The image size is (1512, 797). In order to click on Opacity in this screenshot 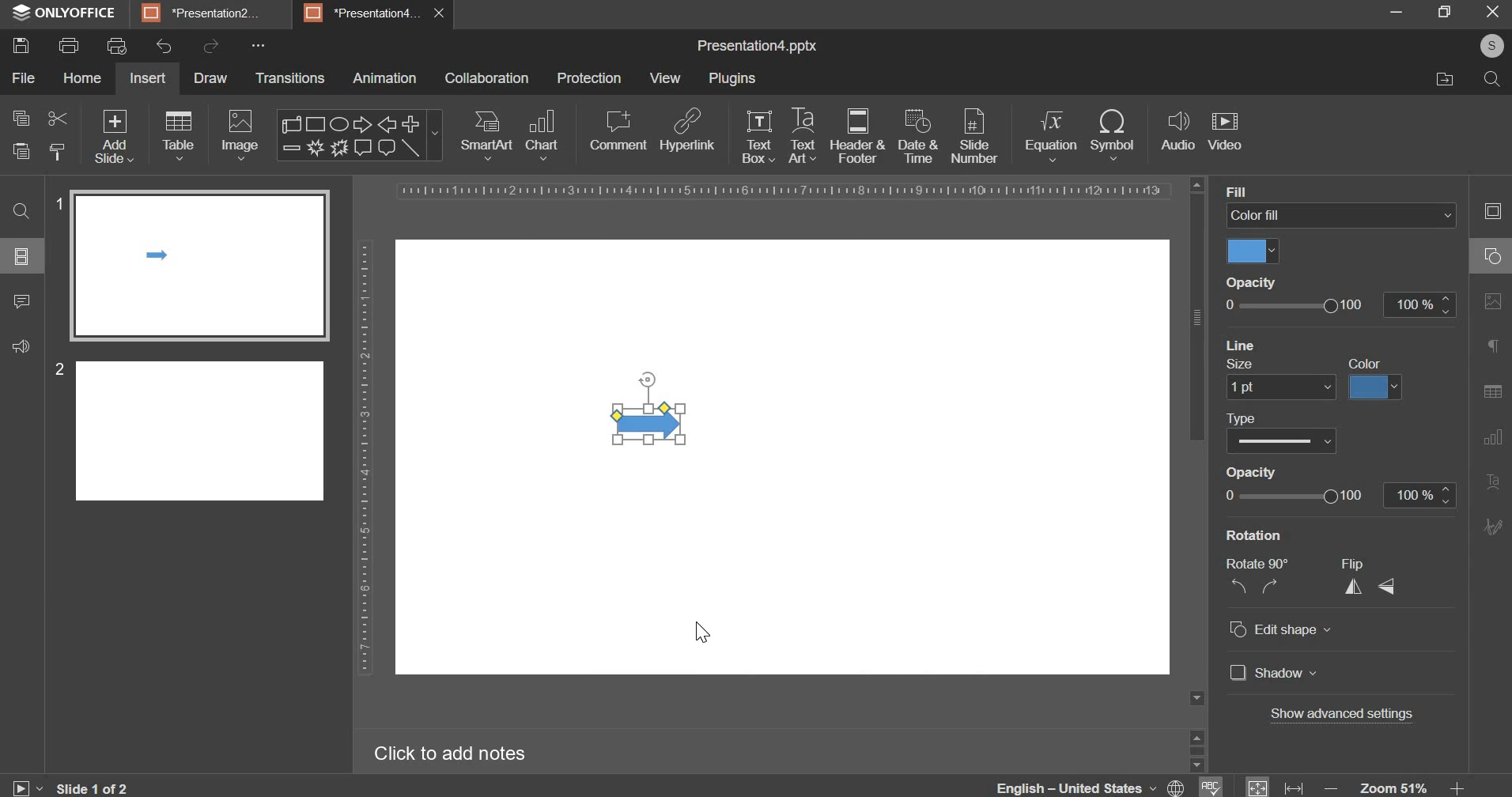, I will do `click(1249, 283)`.